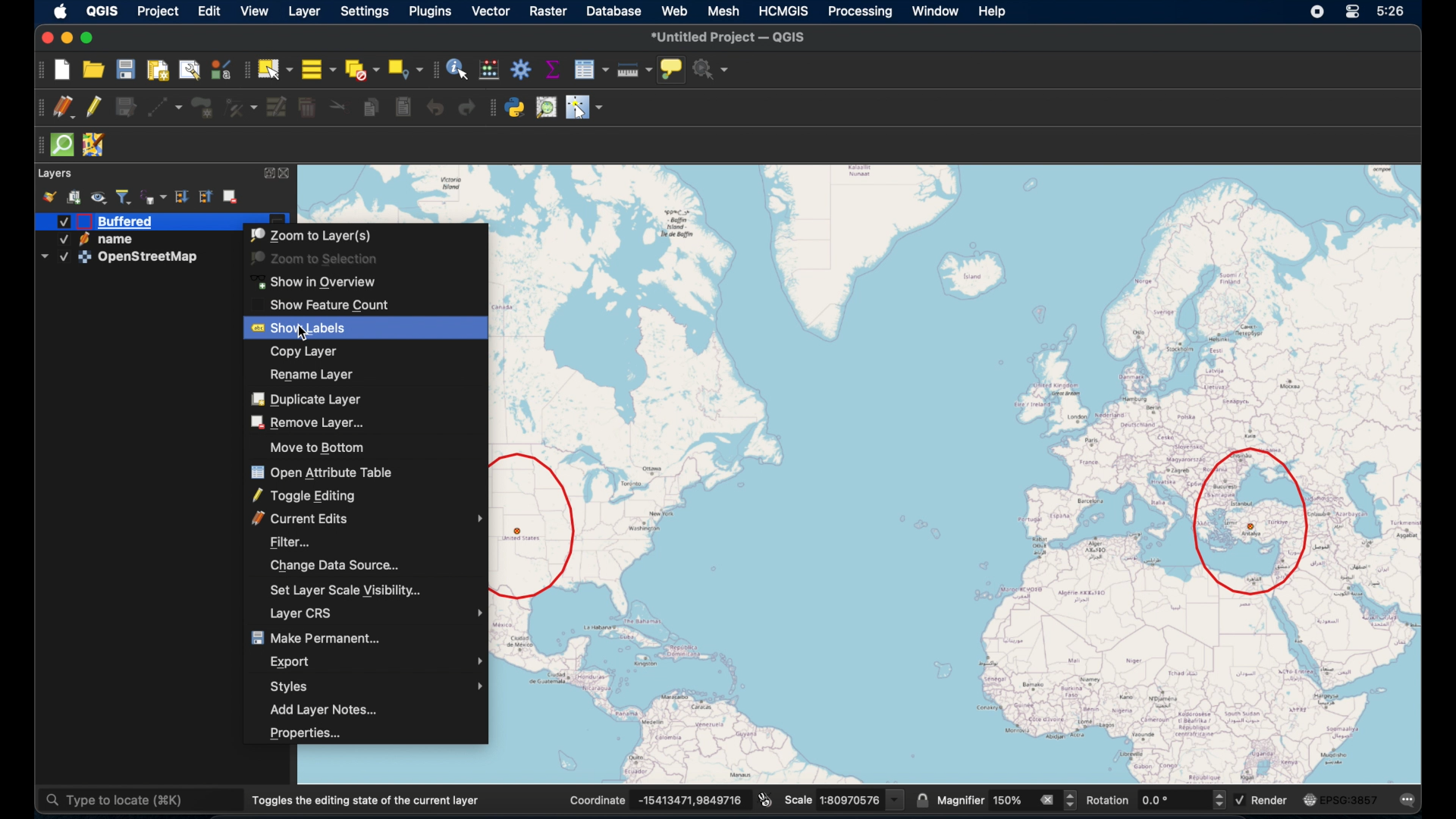 The image size is (1456, 819). What do you see at coordinates (289, 173) in the screenshot?
I see `close` at bounding box center [289, 173].